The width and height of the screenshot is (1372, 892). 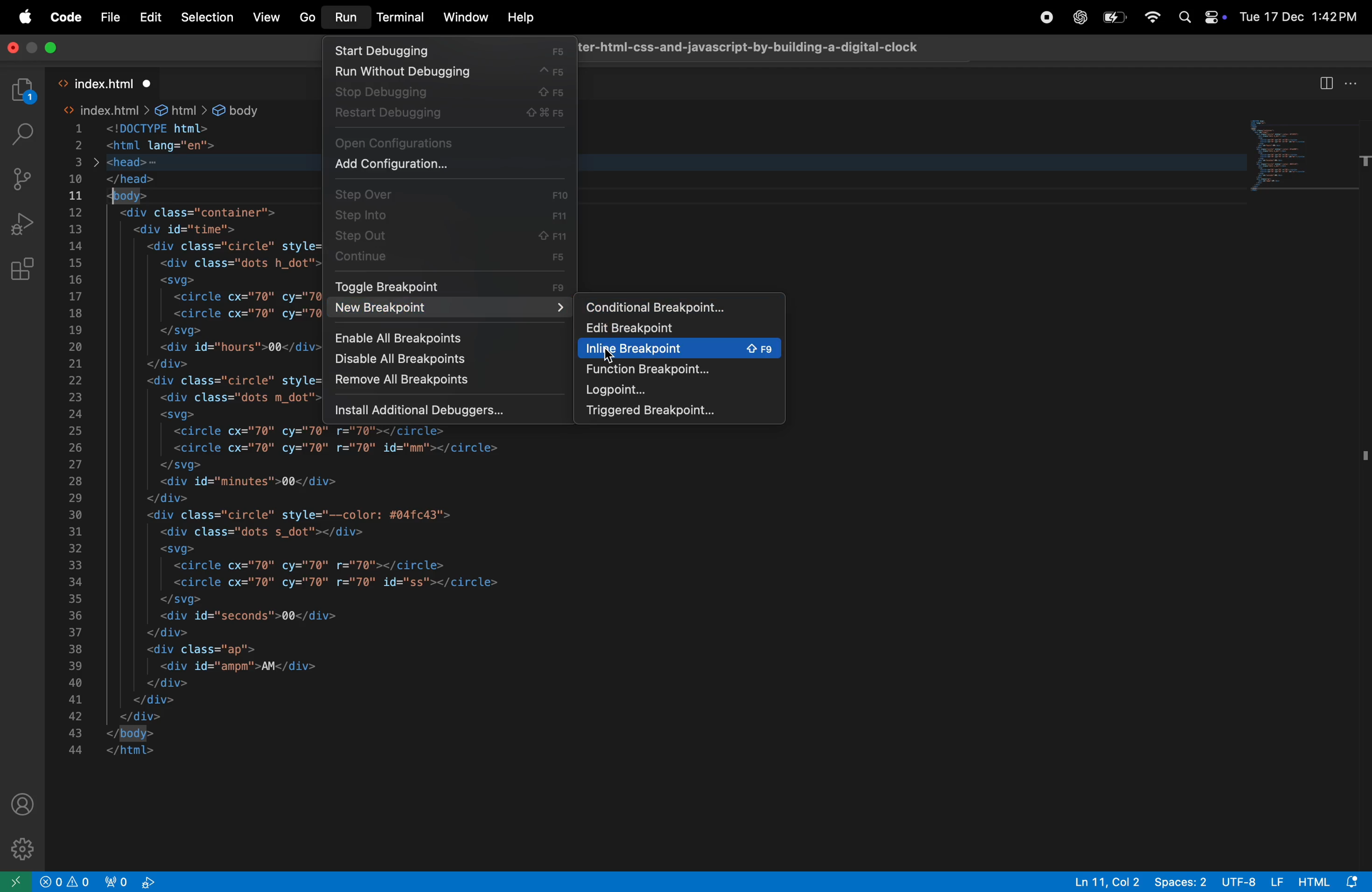 What do you see at coordinates (447, 93) in the screenshot?
I see `stop debugging` at bounding box center [447, 93].